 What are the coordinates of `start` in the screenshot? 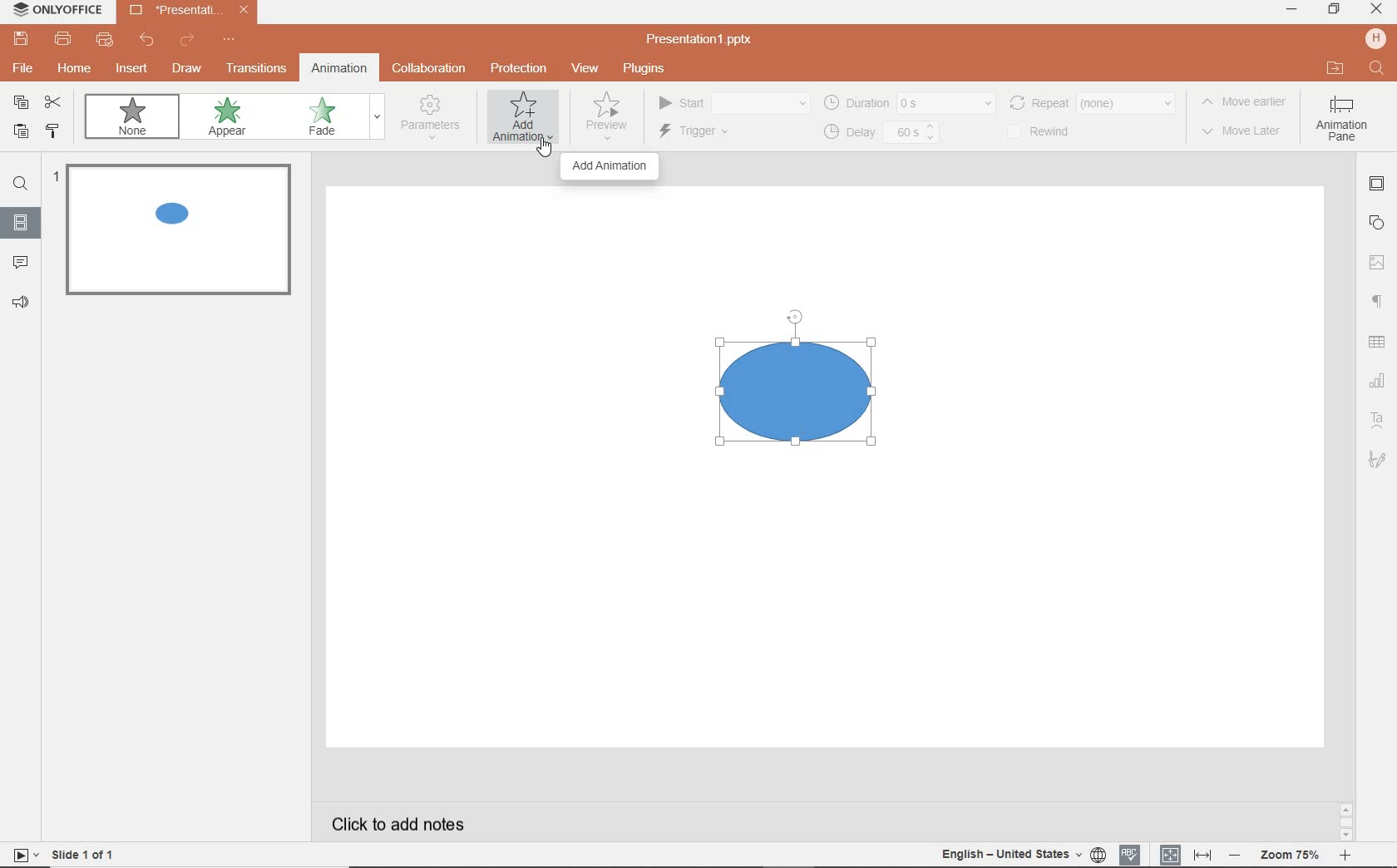 It's located at (732, 104).